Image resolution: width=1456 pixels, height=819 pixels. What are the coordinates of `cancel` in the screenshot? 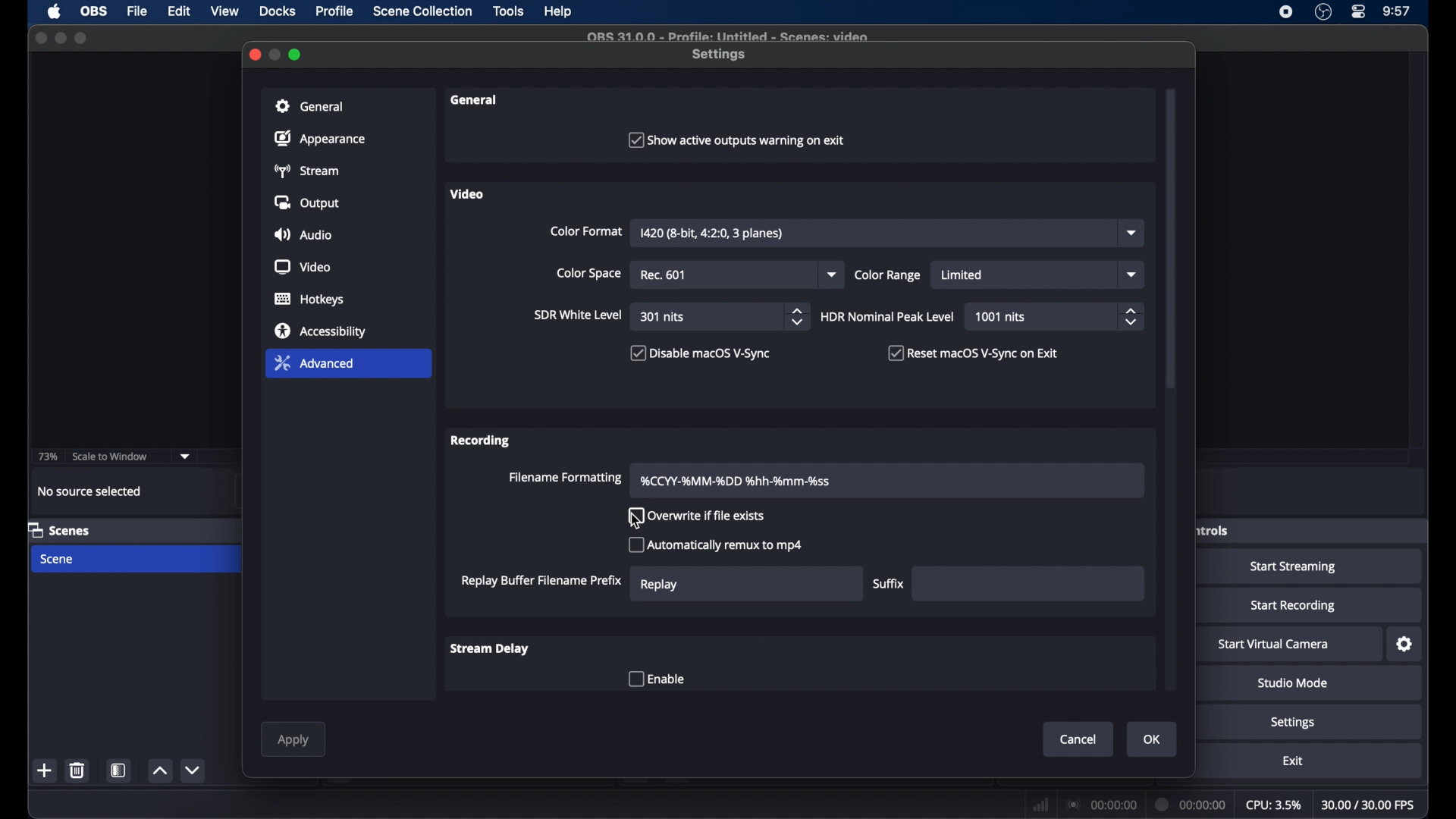 It's located at (1078, 739).